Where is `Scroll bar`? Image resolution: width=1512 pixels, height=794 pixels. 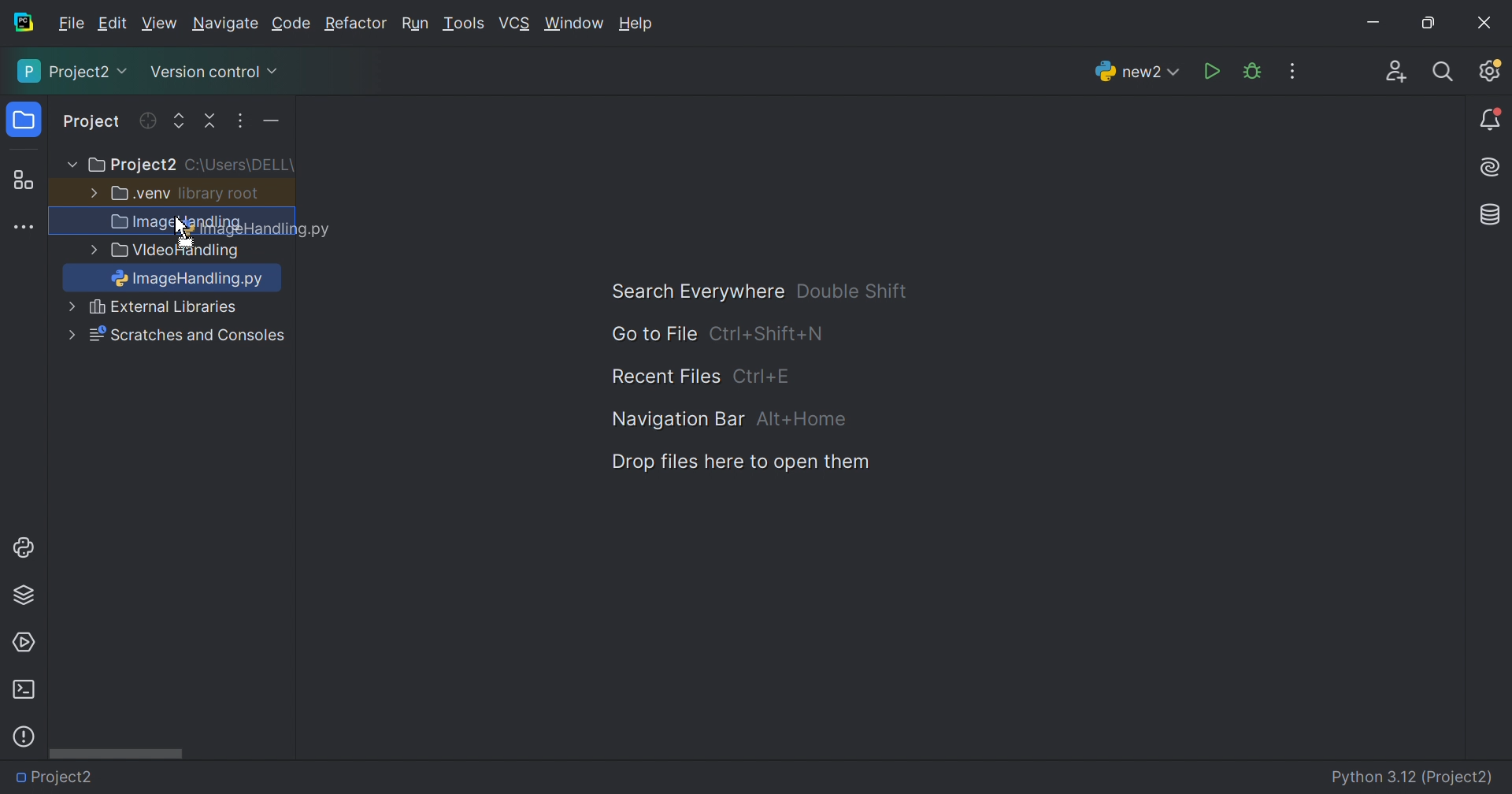
Scroll bar is located at coordinates (116, 752).